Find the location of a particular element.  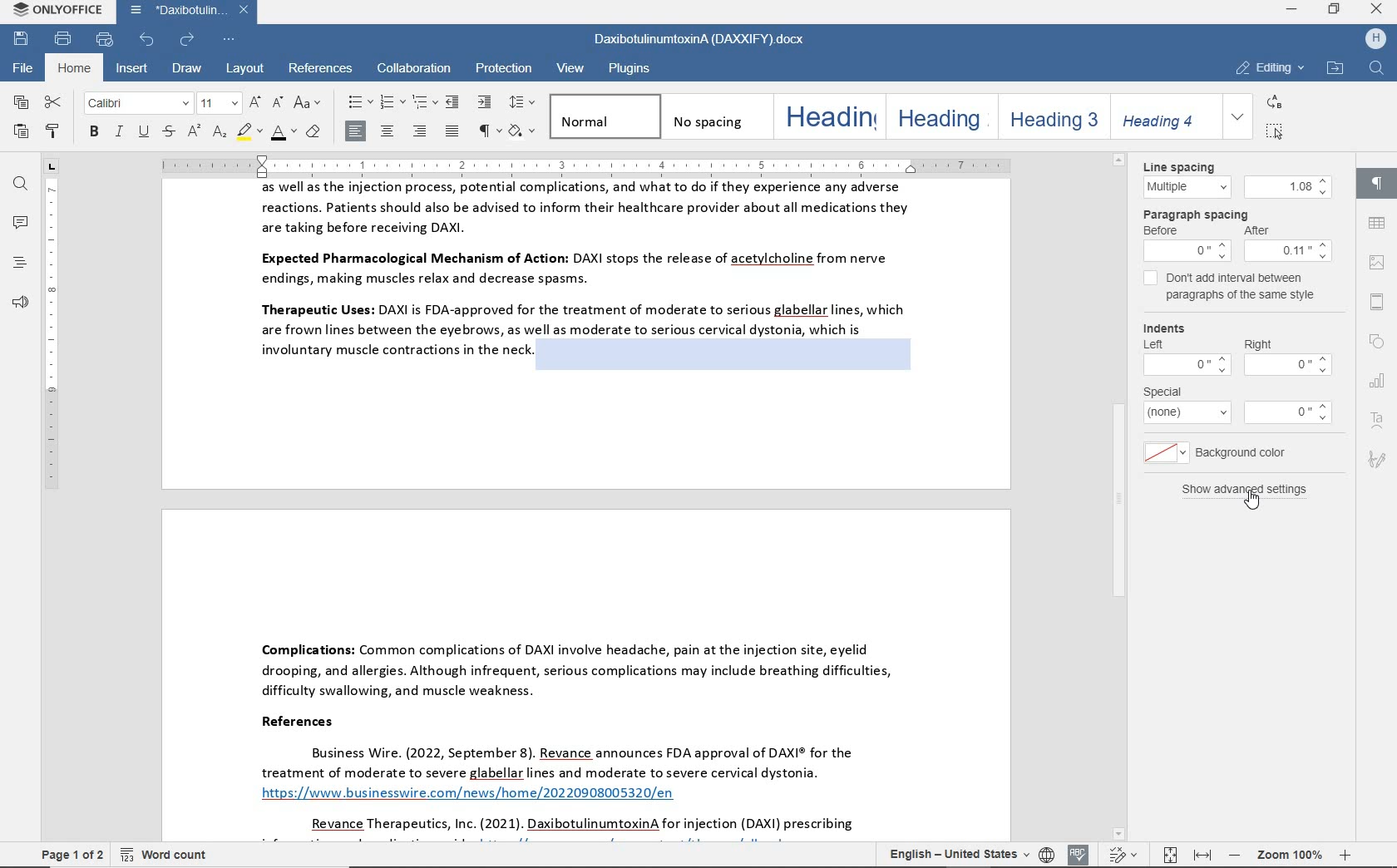

copy is located at coordinates (22, 104).